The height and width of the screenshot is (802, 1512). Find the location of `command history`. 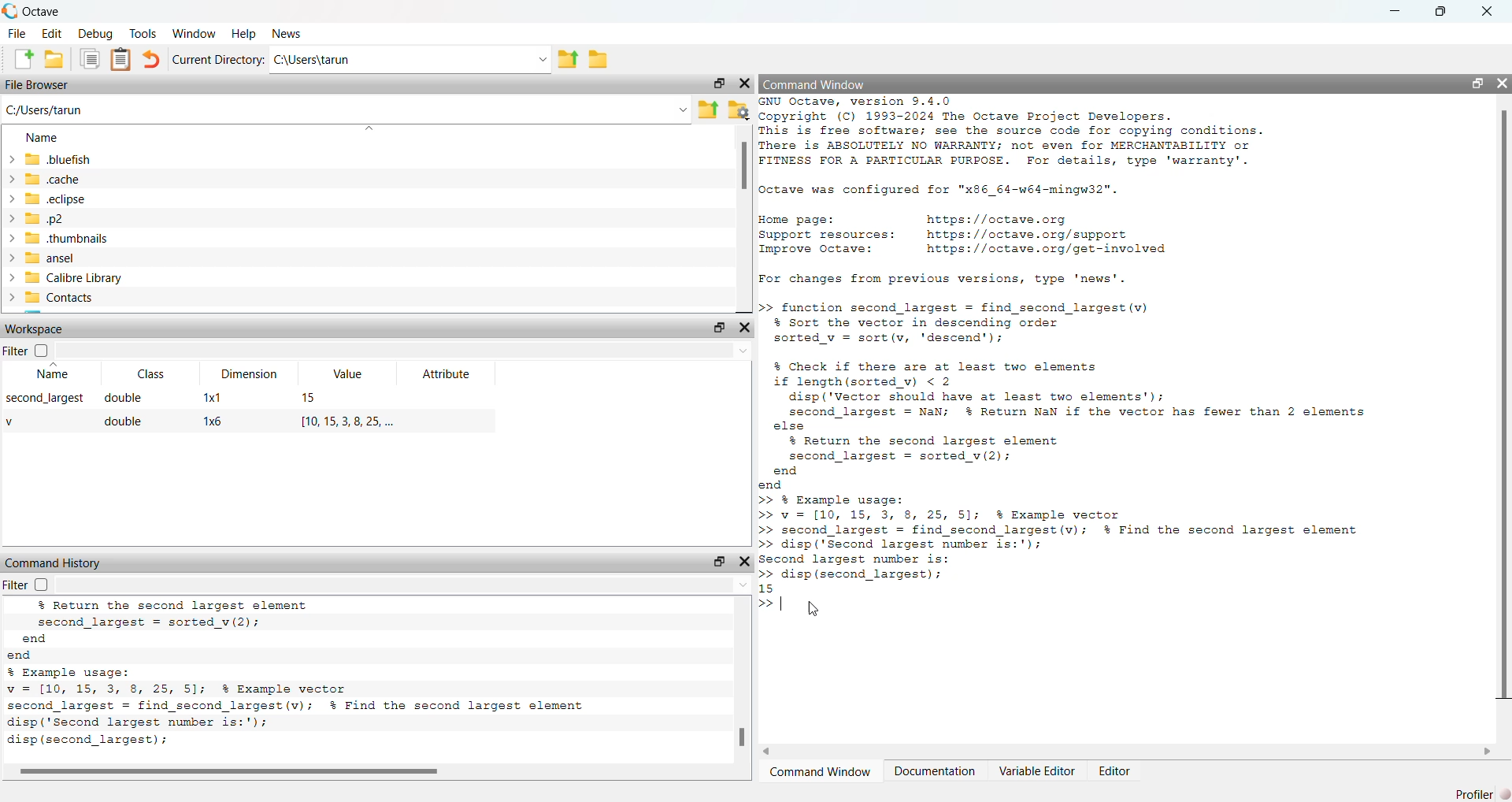

command history is located at coordinates (54, 563).